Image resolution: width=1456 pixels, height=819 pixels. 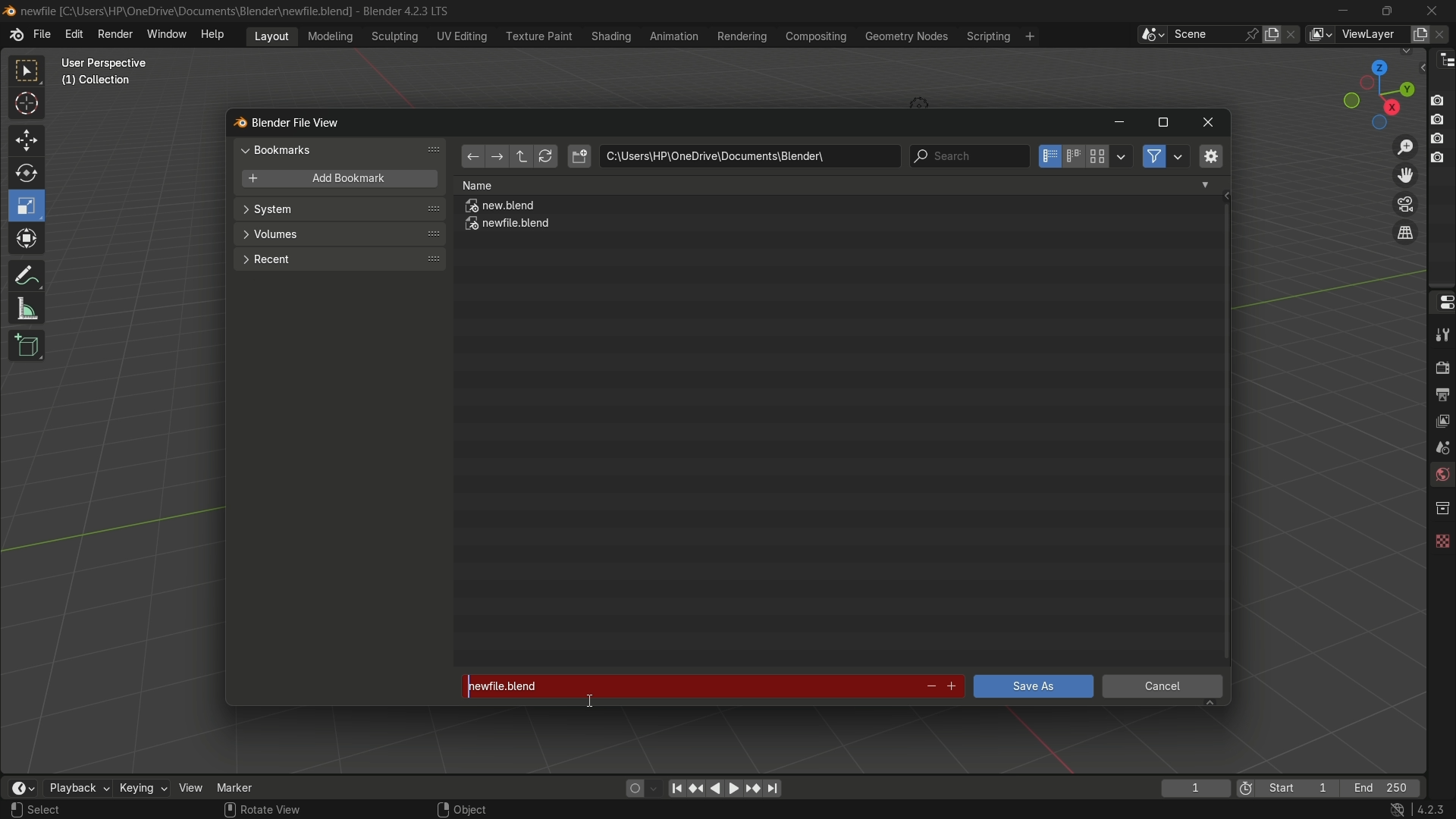 What do you see at coordinates (1432, 10) in the screenshot?
I see `close app` at bounding box center [1432, 10].